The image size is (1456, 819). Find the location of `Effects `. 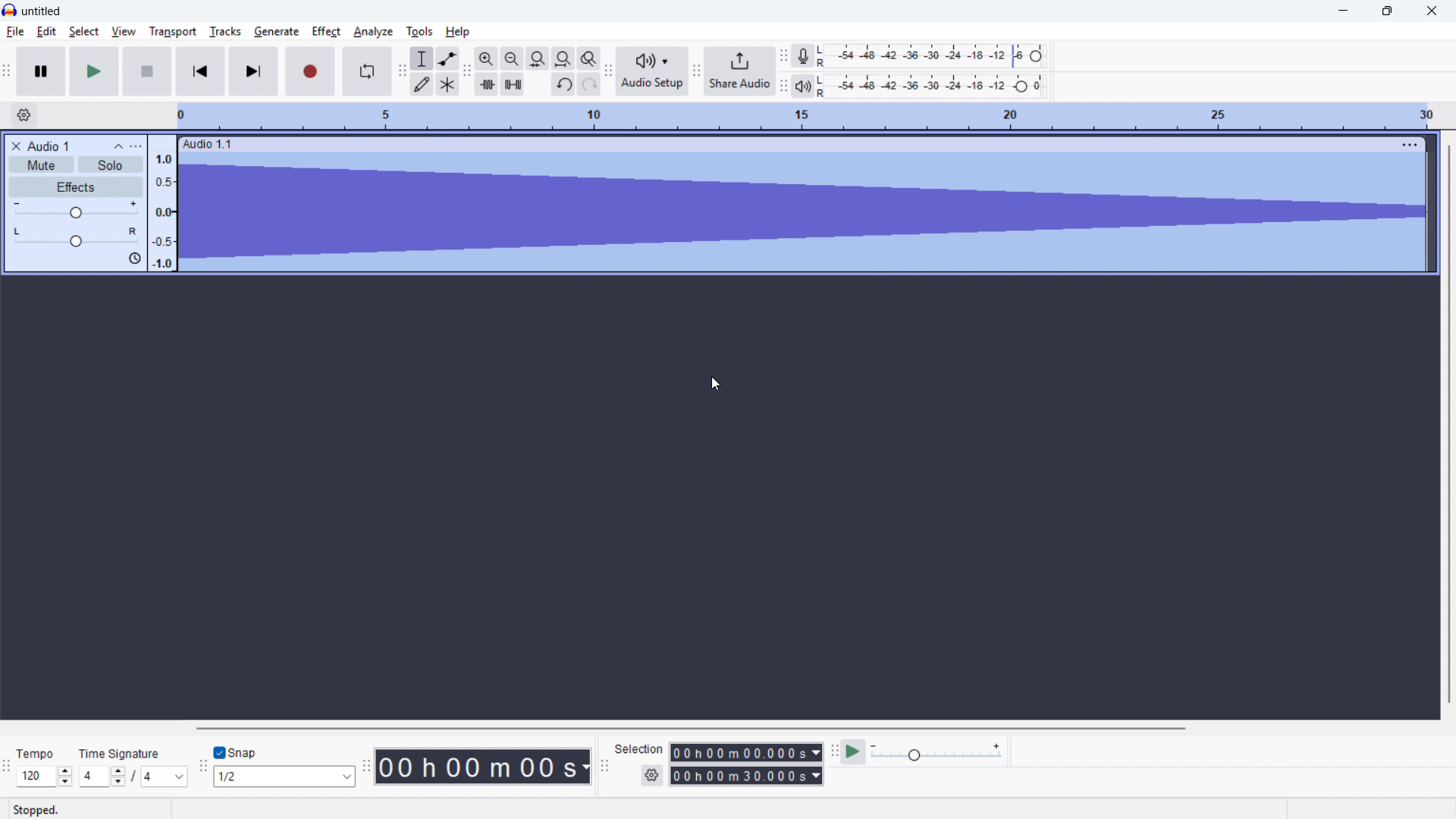

Effects  is located at coordinates (76, 187).